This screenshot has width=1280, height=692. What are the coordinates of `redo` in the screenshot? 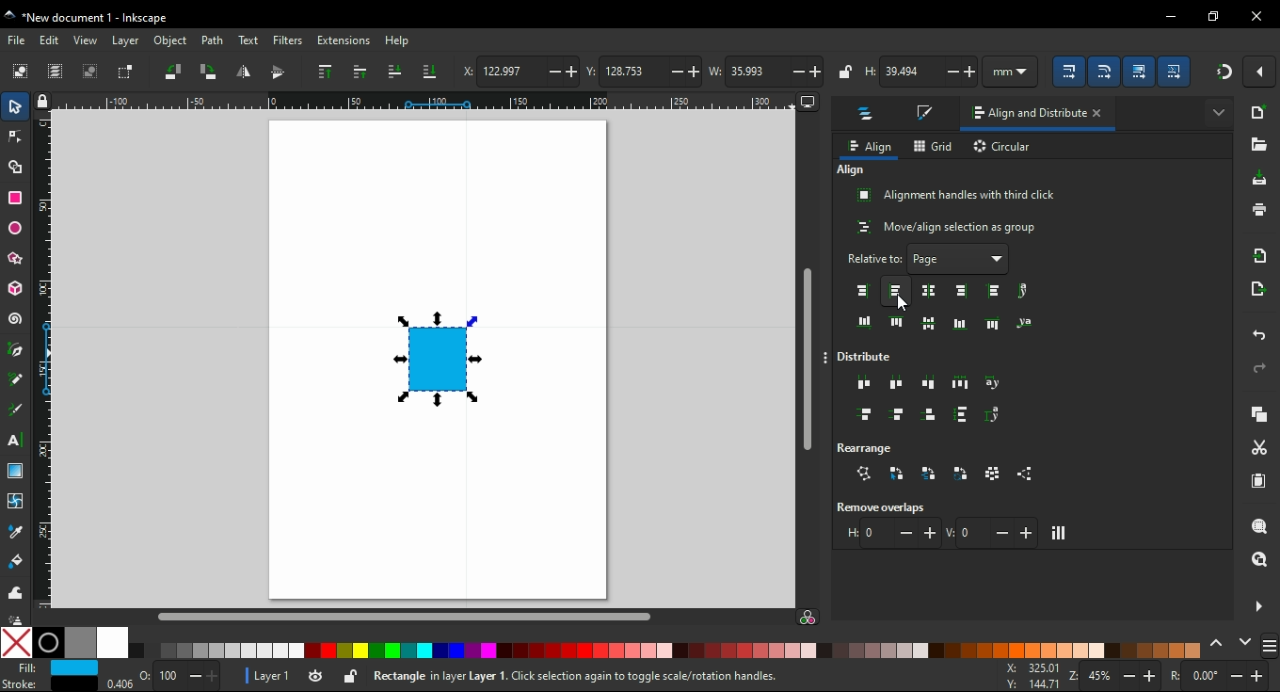 It's located at (1258, 368).